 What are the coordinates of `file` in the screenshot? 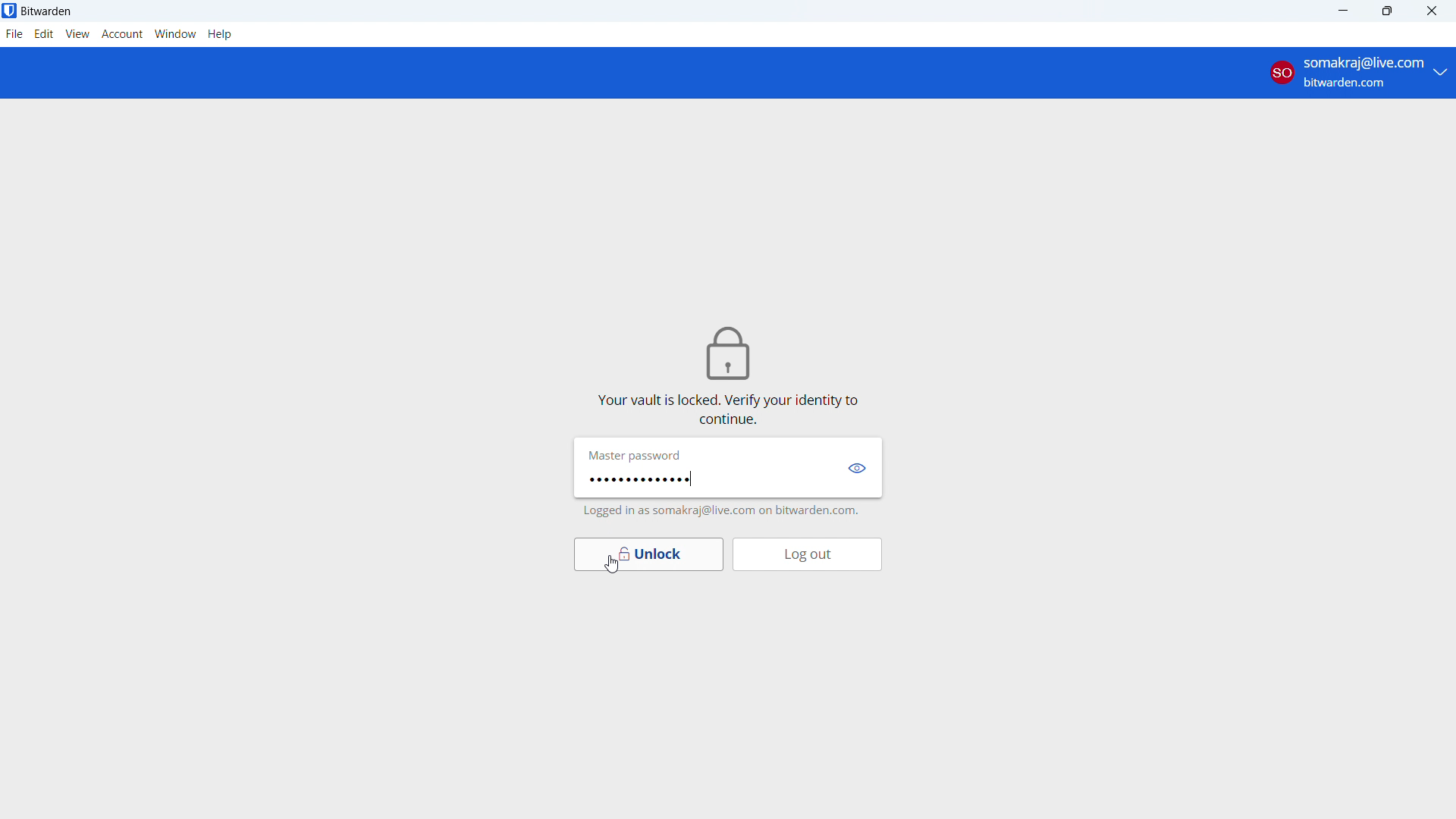 It's located at (14, 35).